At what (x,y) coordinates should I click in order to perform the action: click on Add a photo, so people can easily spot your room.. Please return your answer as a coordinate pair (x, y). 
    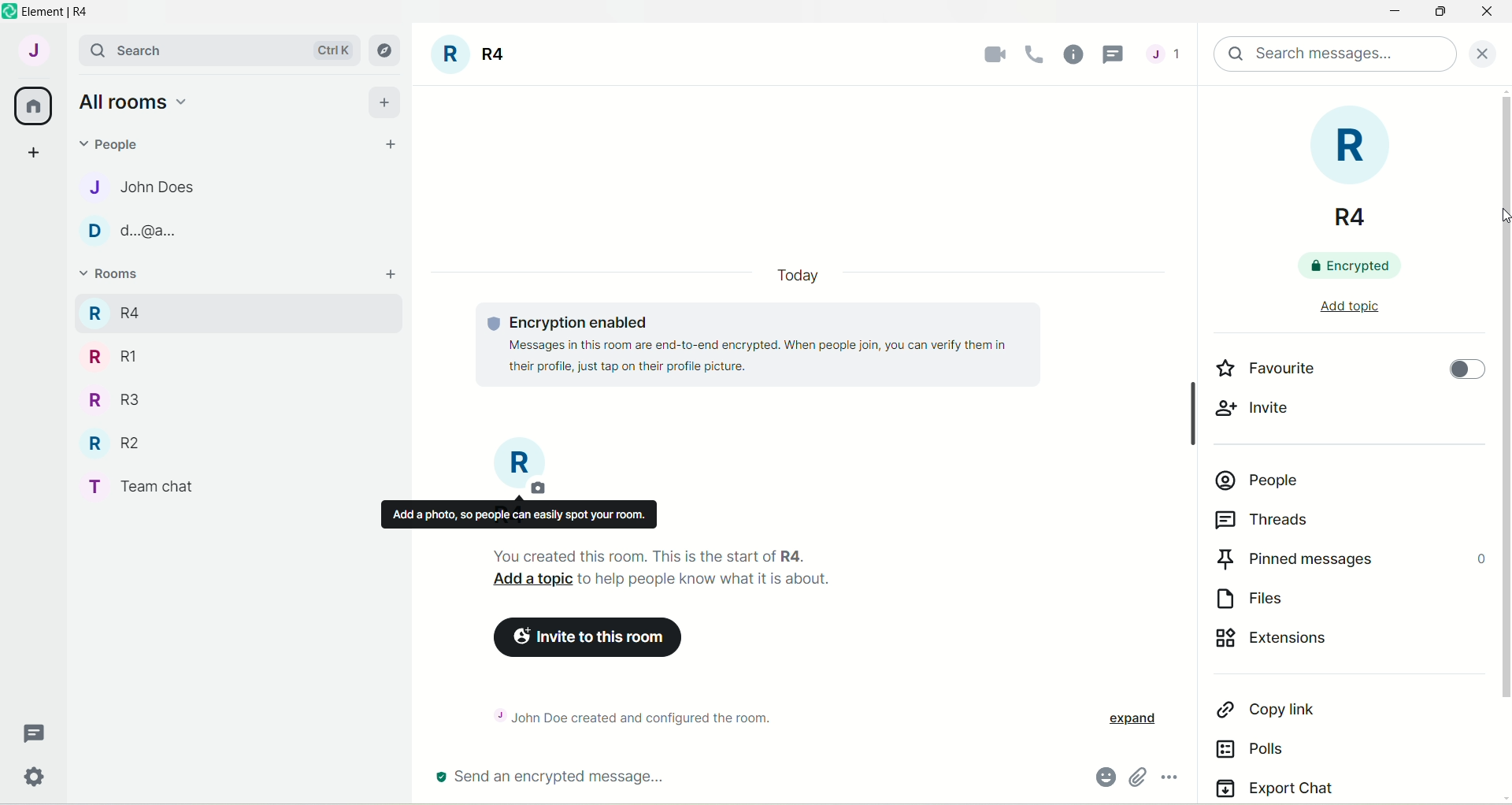
    Looking at the image, I should click on (518, 514).